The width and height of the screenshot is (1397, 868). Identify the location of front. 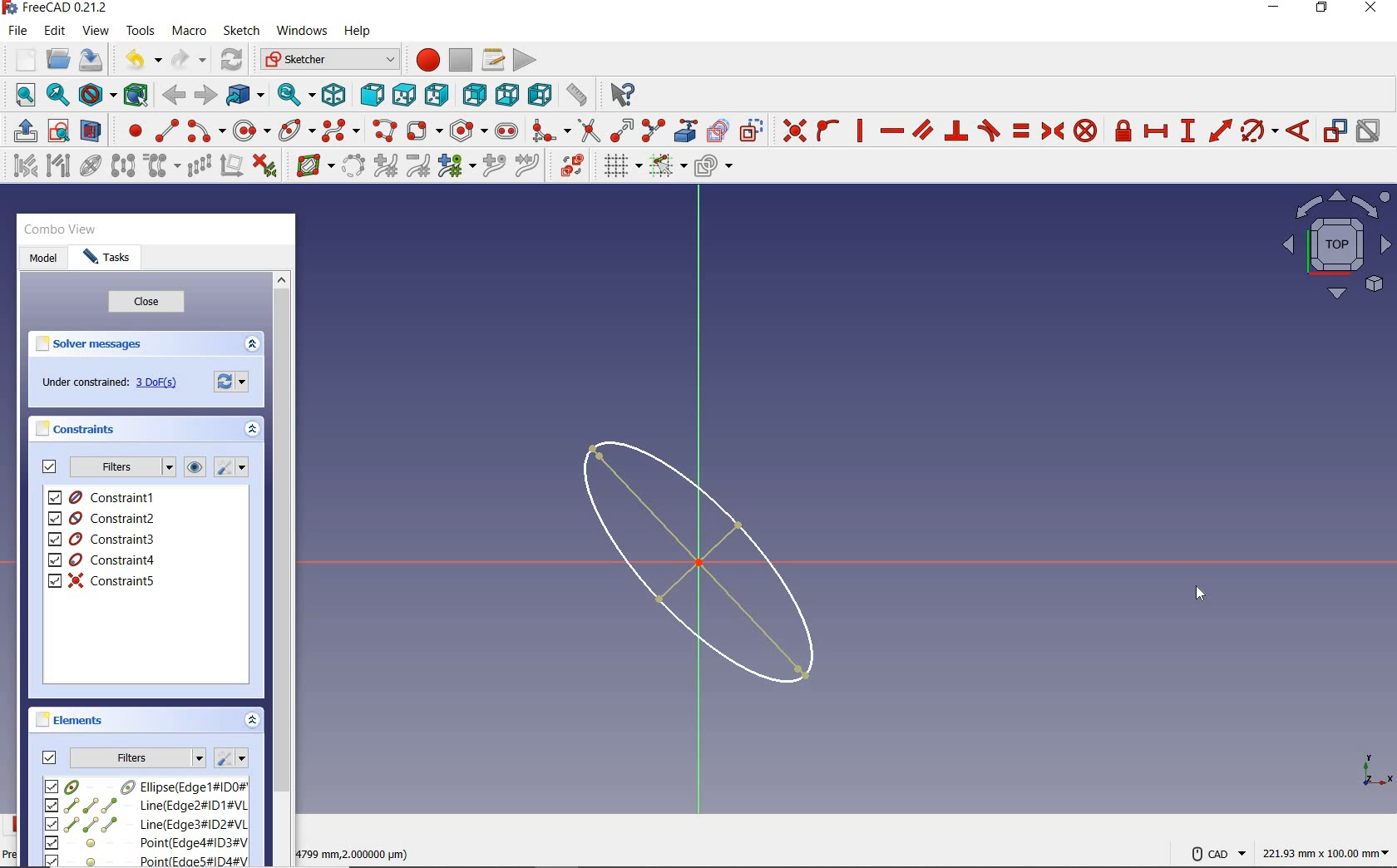
(368, 95).